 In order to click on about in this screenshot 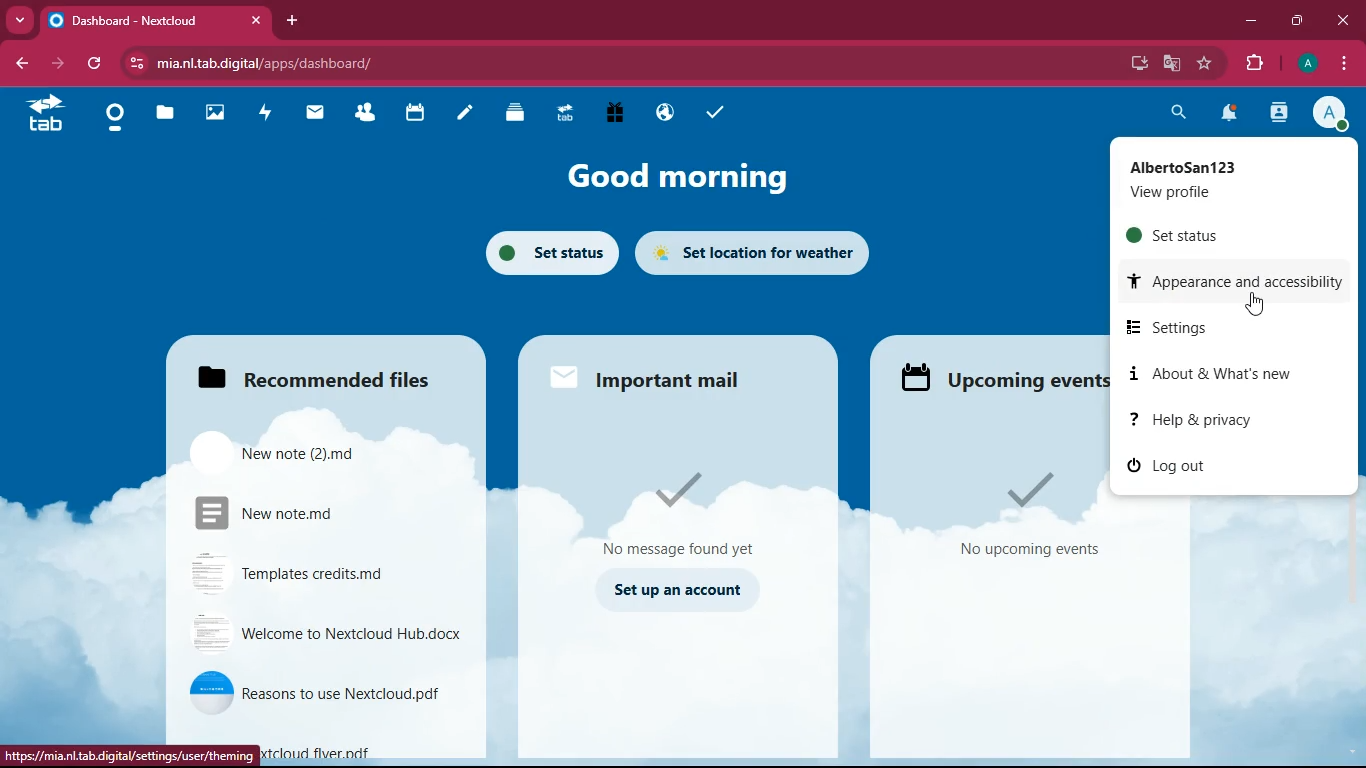, I will do `click(1214, 373)`.